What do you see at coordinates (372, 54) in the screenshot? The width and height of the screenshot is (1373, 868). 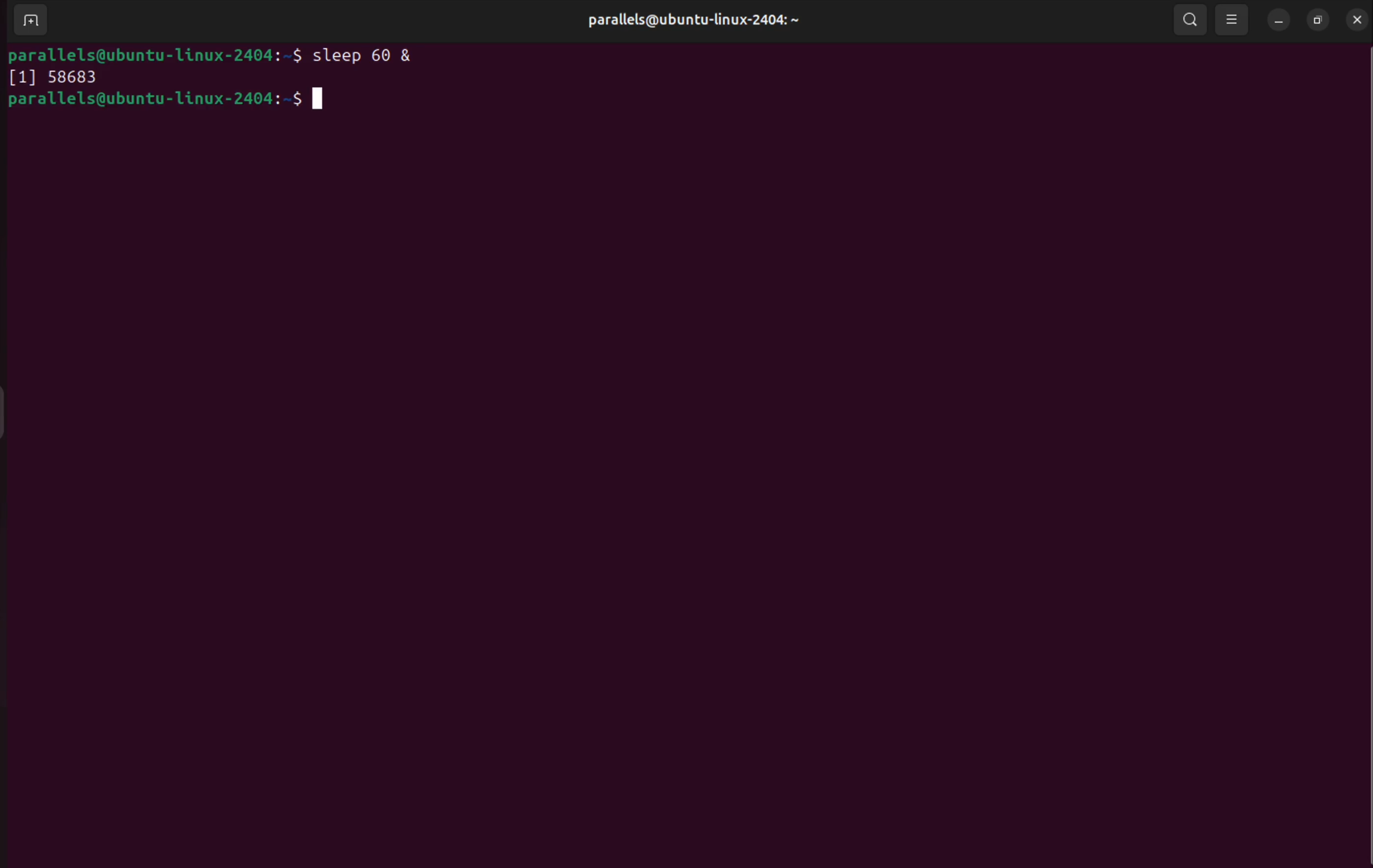 I see `sleep60 &` at bounding box center [372, 54].